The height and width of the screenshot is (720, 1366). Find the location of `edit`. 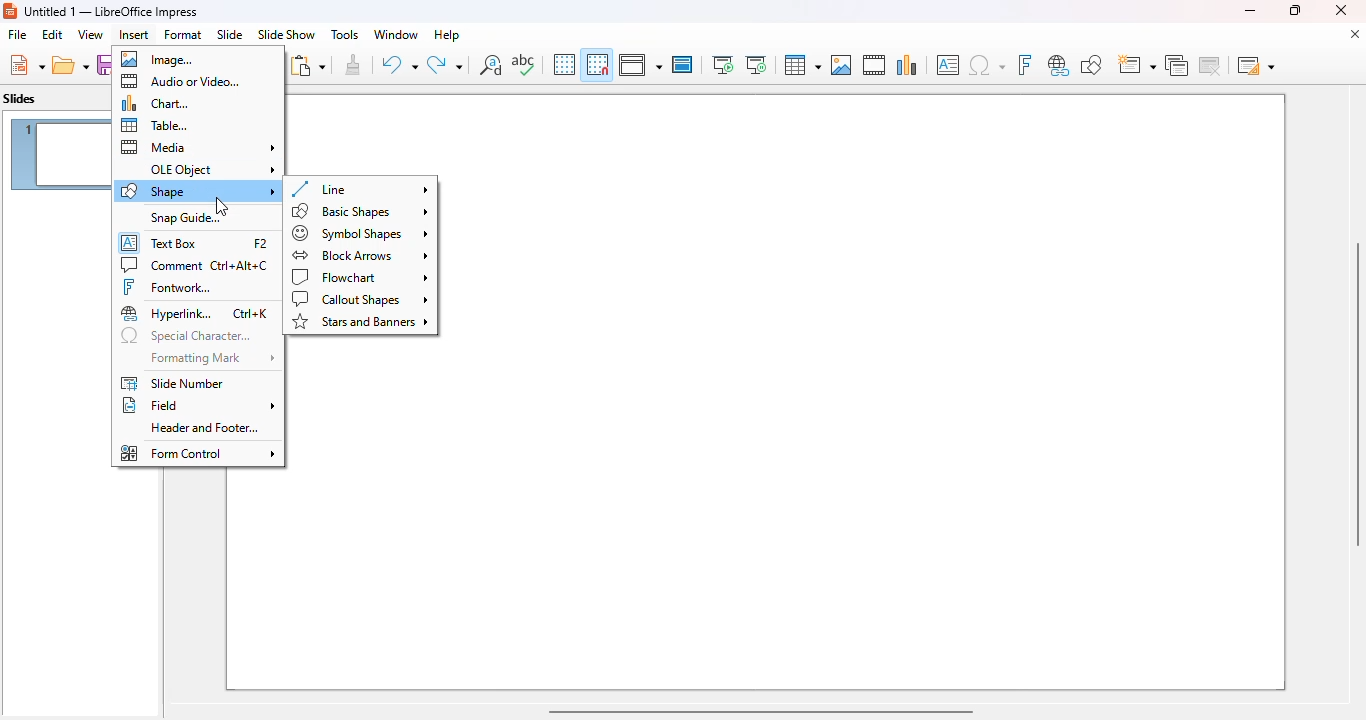

edit is located at coordinates (52, 34).